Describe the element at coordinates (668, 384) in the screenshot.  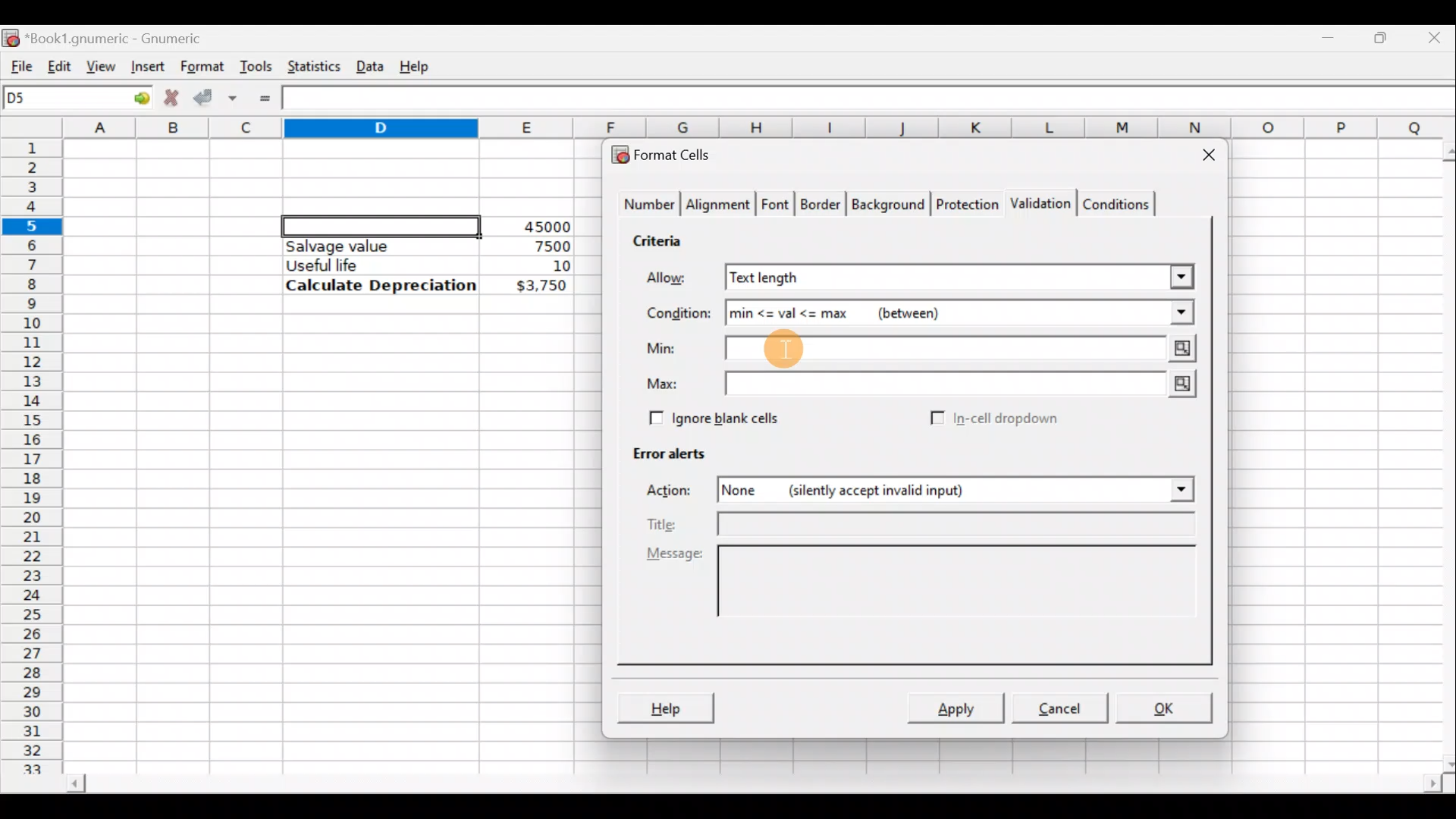
I see `Max` at that location.